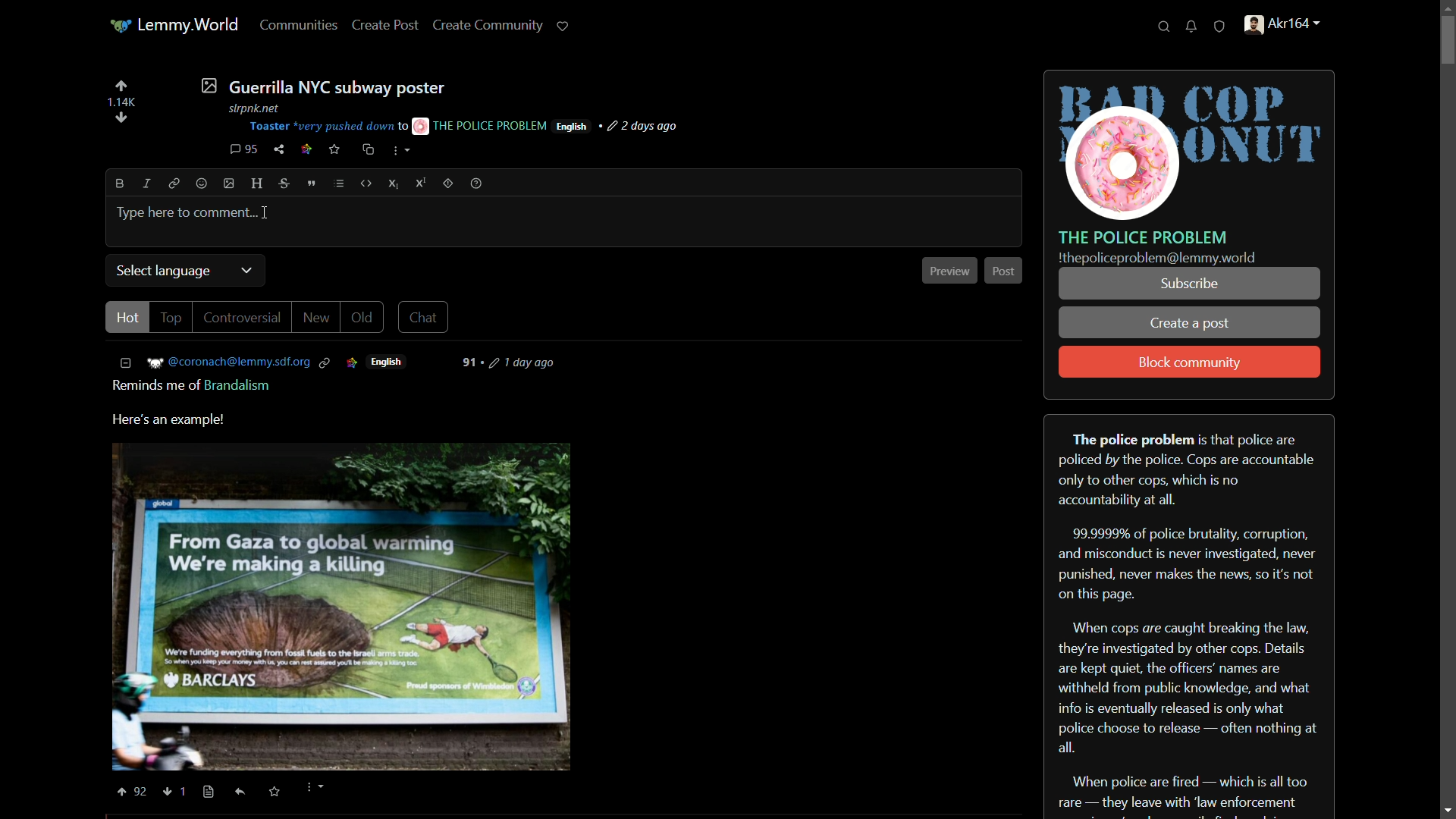 The image size is (1456, 819). Describe the element at coordinates (339, 184) in the screenshot. I see `list` at that location.